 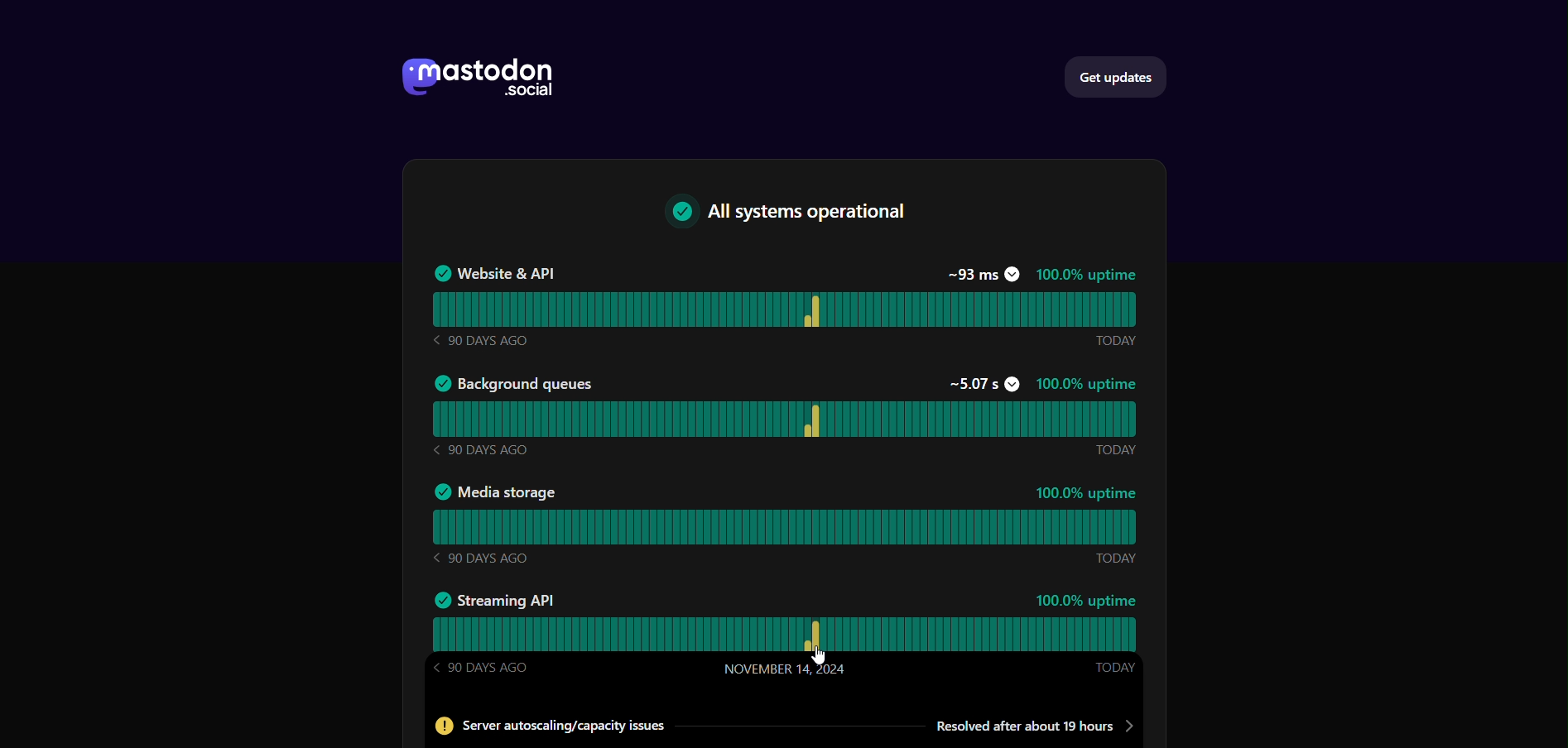 What do you see at coordinates (513, 382) in the screenshot?
I see `Bg queue info` at bounding box center [513, 382].